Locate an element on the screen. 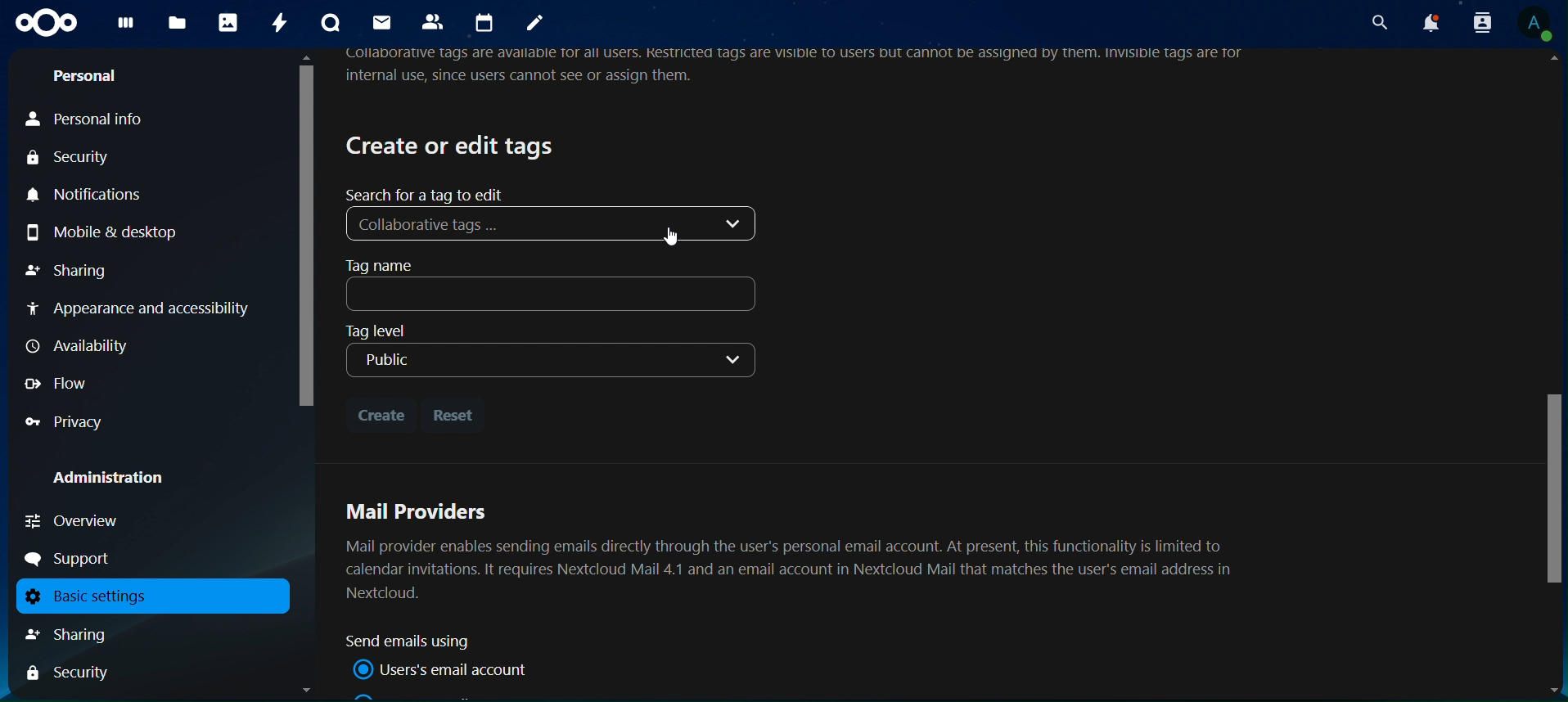  appearance and accessibility is located at coordinates (141, 311).